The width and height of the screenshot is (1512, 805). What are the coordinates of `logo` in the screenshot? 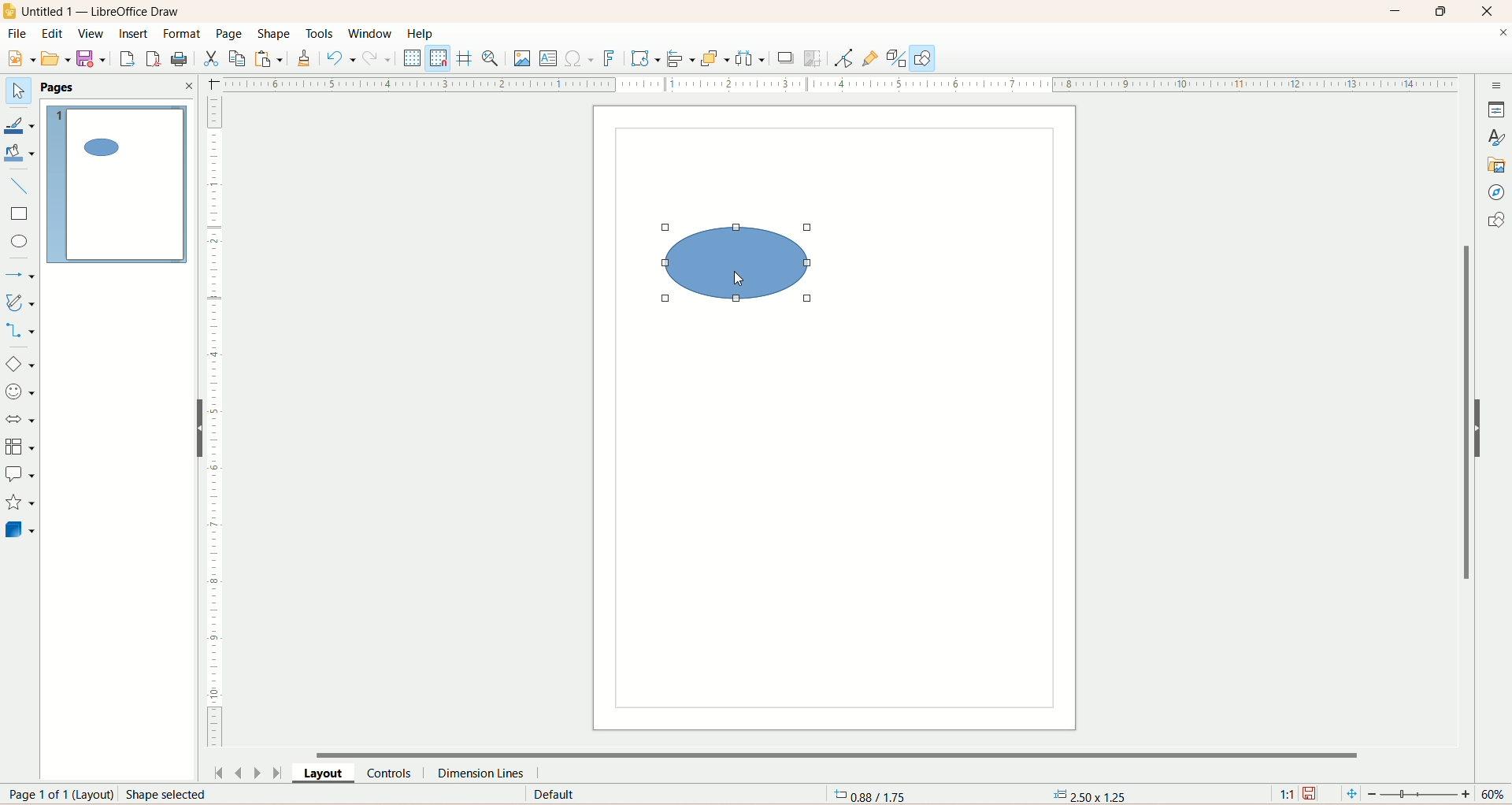 It's located at (10, 10).